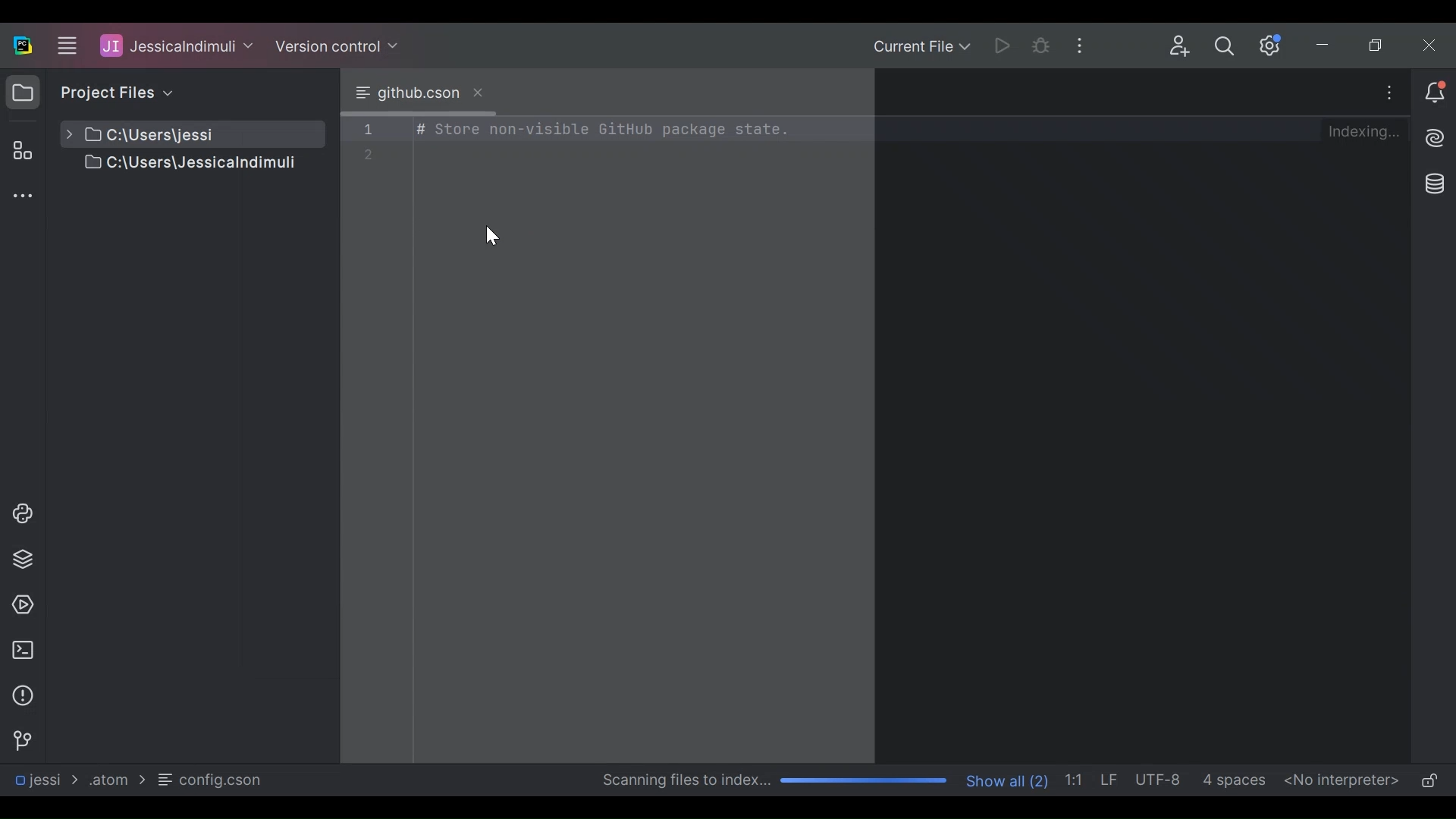  Describe the element at coordinates (20, 150) in the screenshot. I see `Structure` at that location.